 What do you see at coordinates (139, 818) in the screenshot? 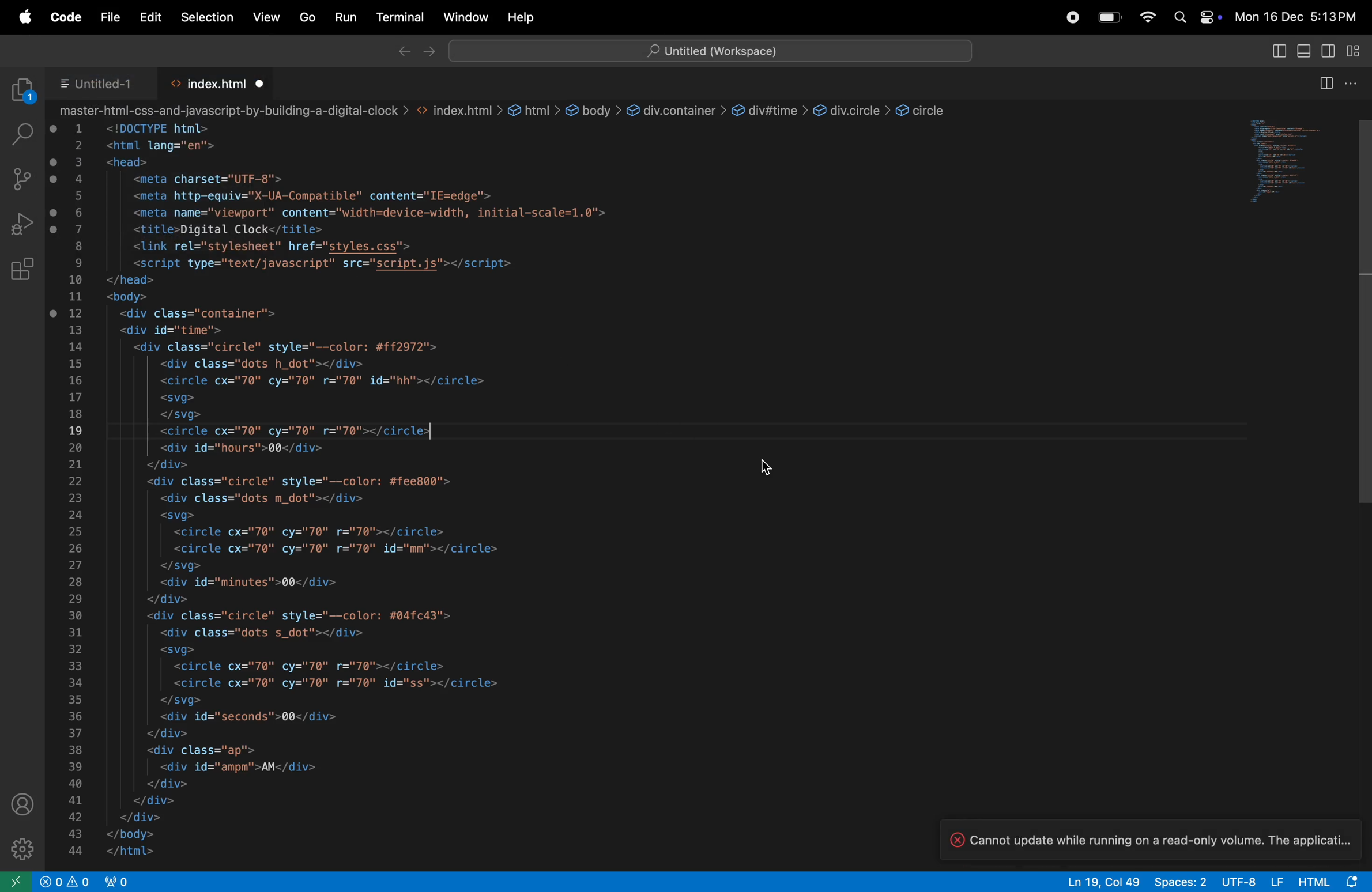
I see `</div>` at bounding box center [139, 818].